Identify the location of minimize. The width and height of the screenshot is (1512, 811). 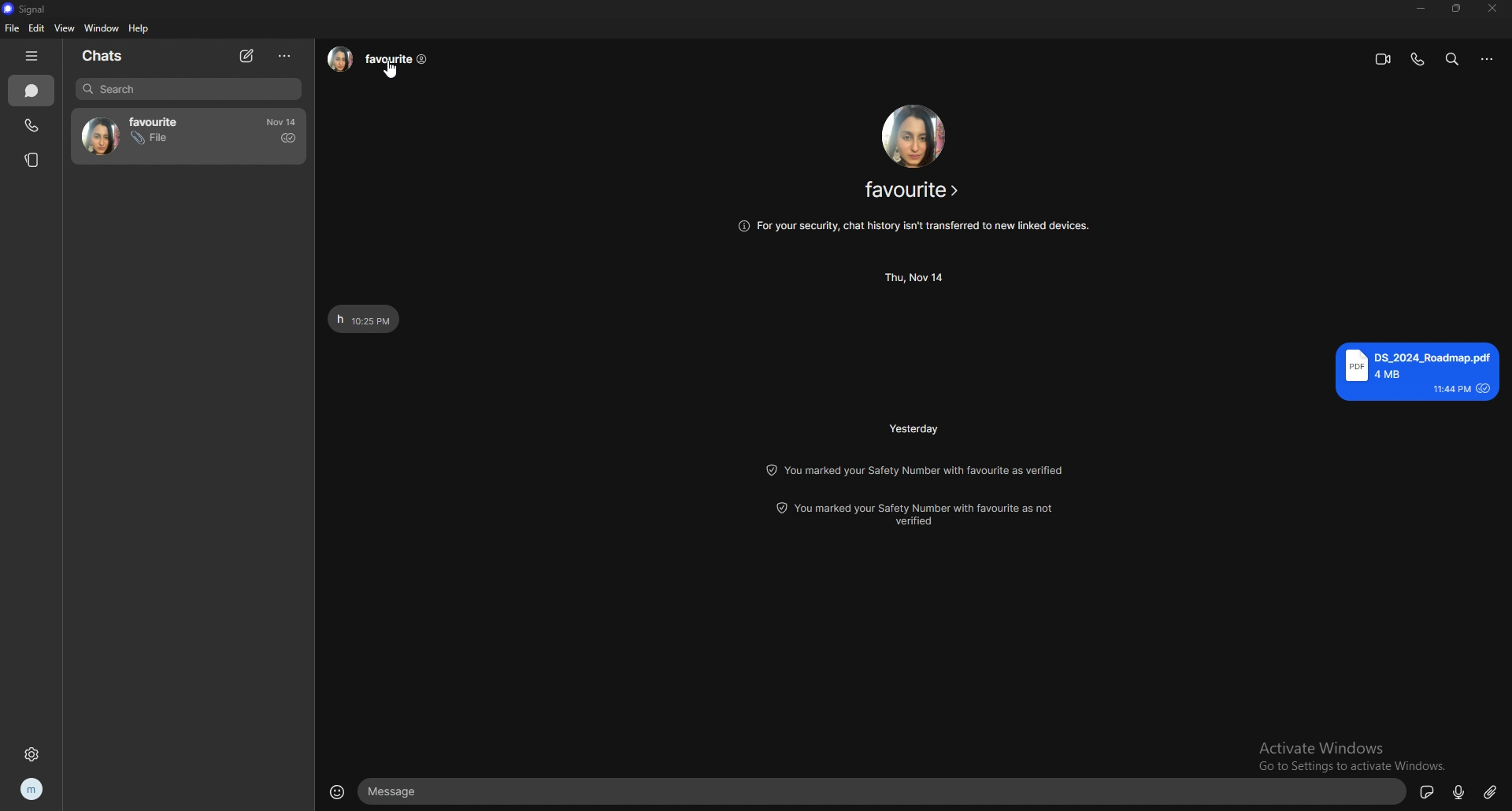
(1419, 8).